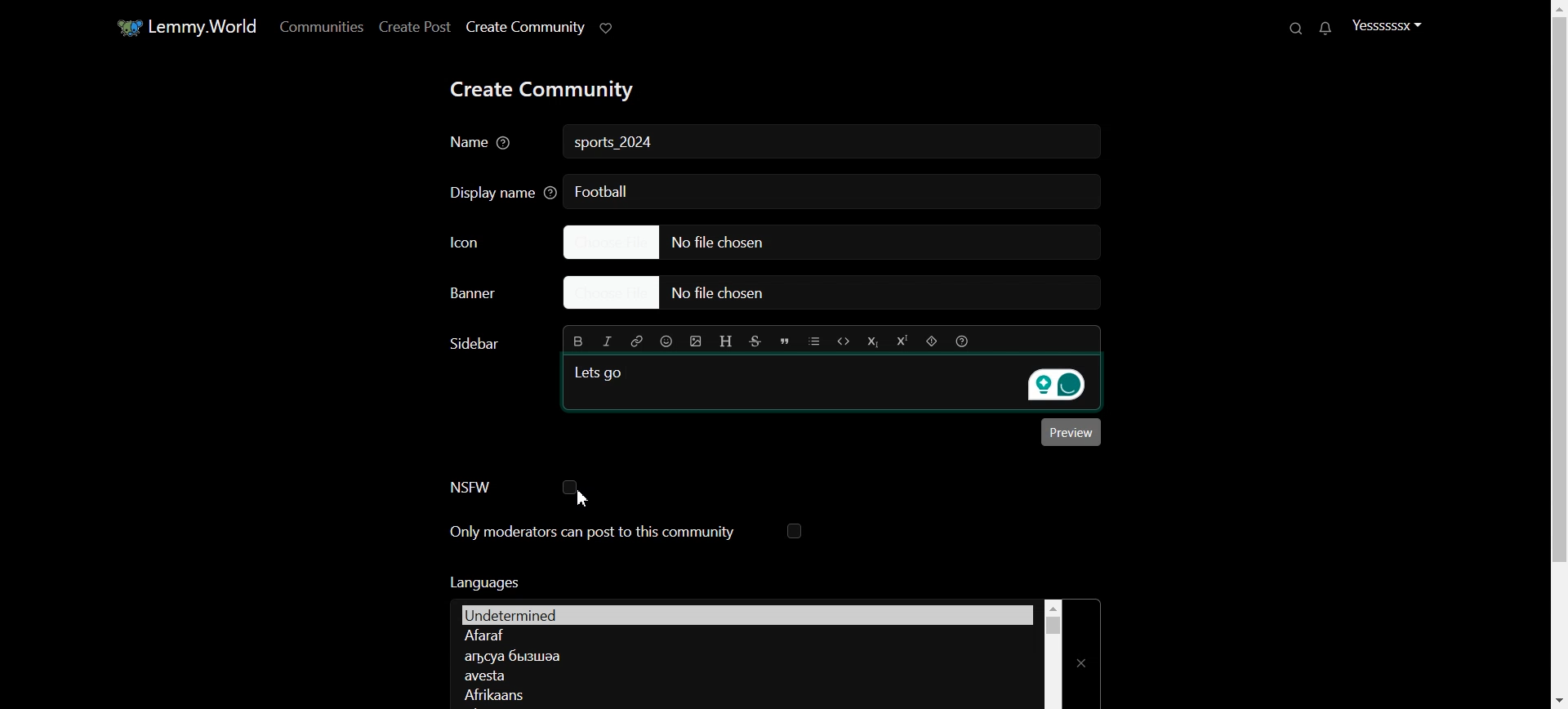 The image size is (1568, 709). What do you see at coordinates (1071, 432) in the screenshot?
I see `Preview` at bounding box center [1071, 432].